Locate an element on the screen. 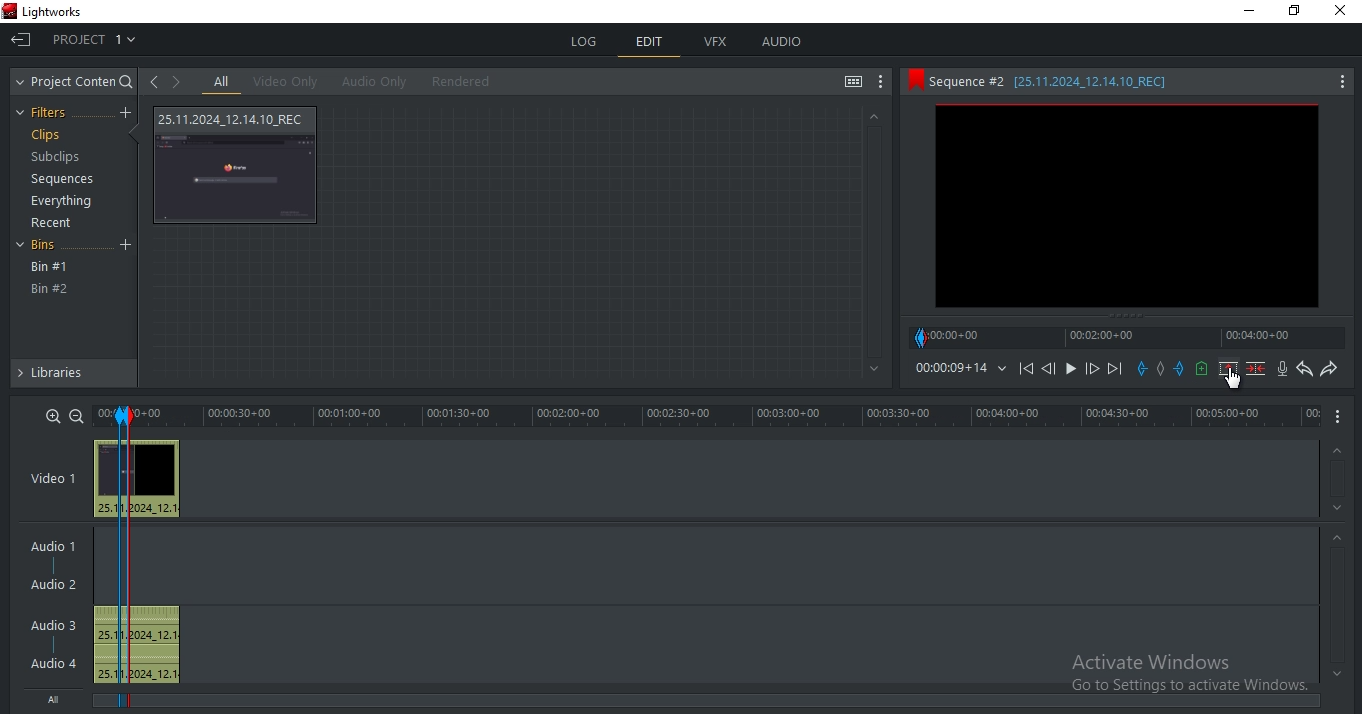  project 1 is located at coordinates (96, 37).